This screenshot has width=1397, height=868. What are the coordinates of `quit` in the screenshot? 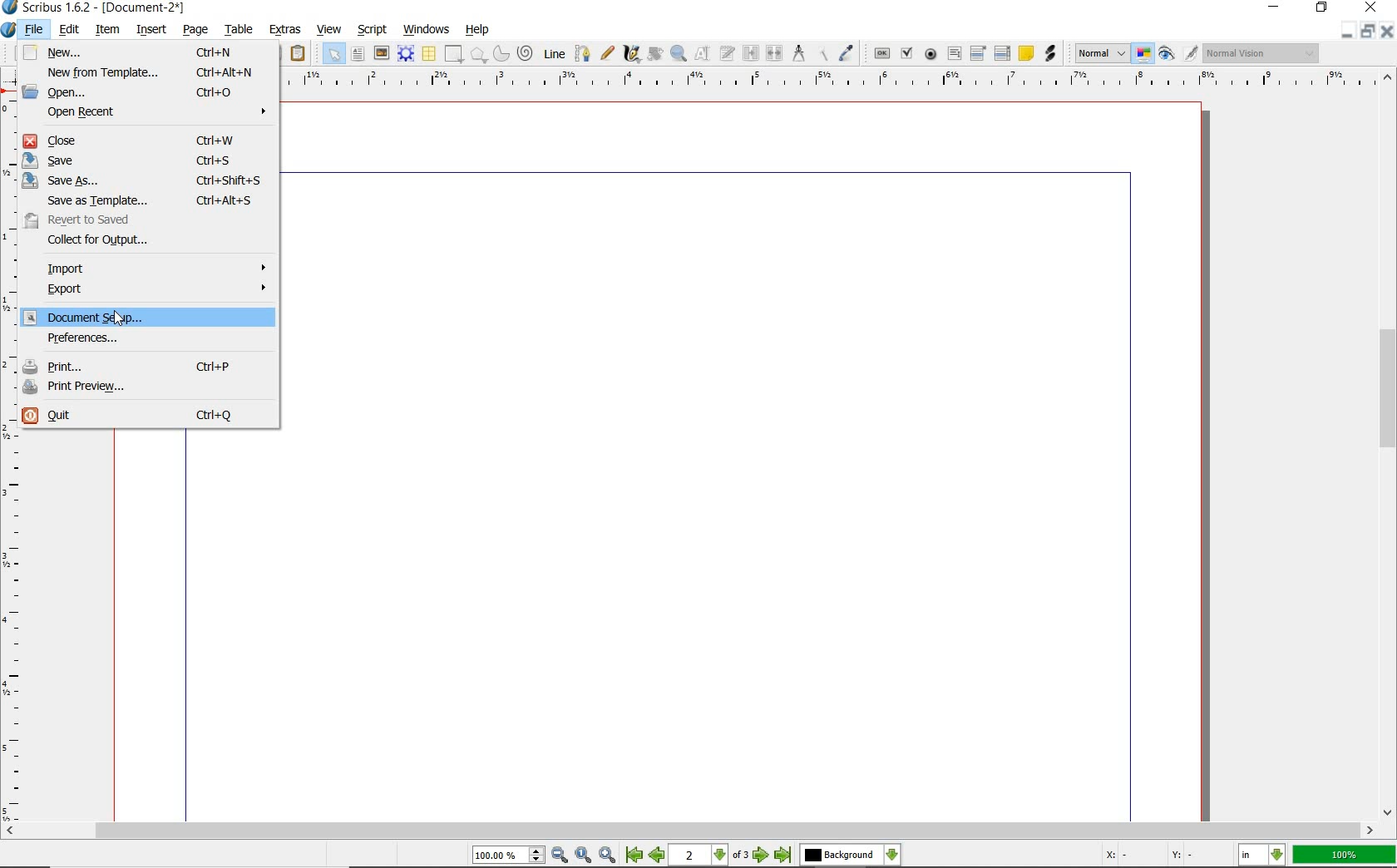 It's located at (148, 413).